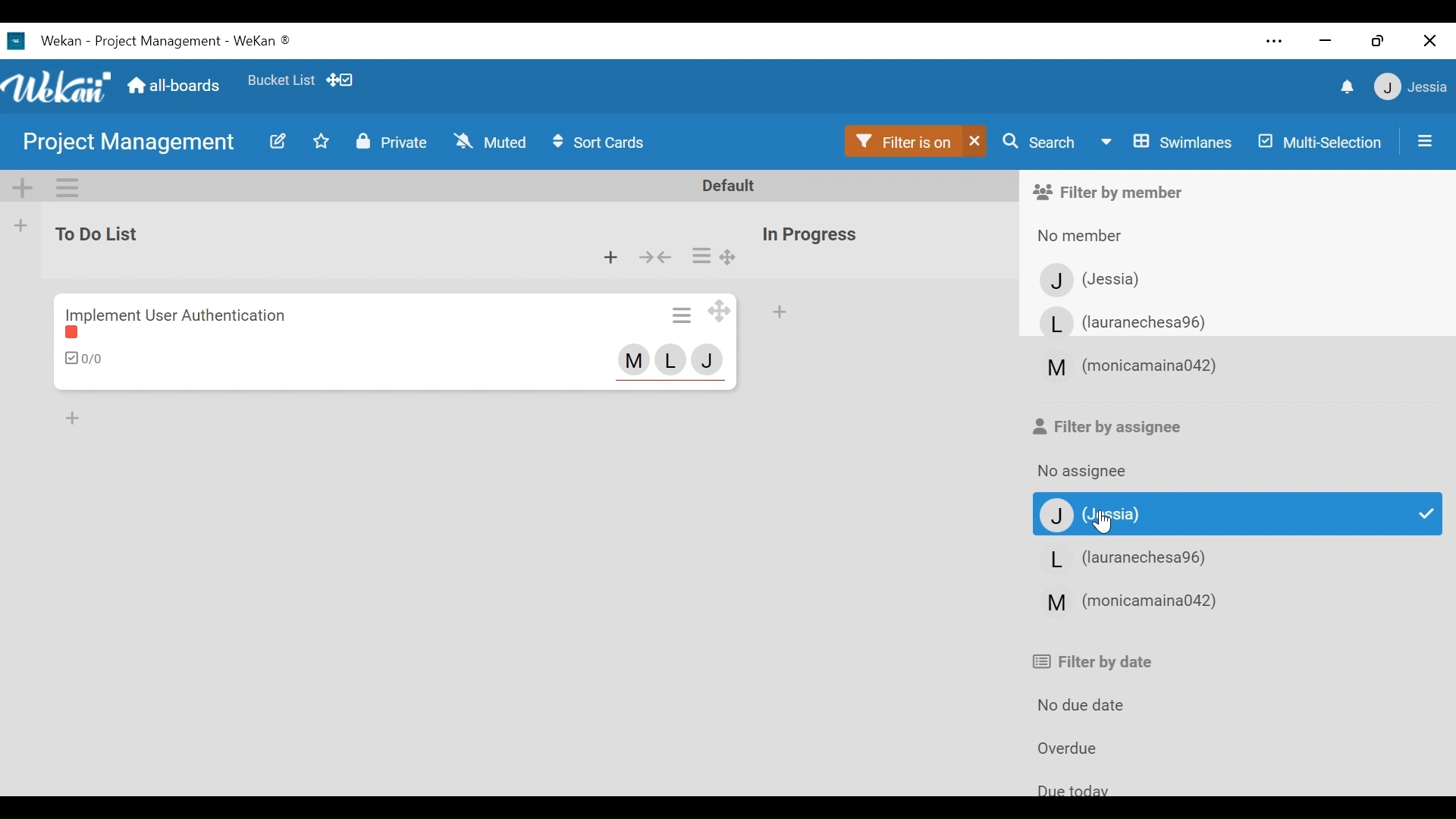 The height and width of the screenshot is (819, 1456). Describe the element at coordinates (67, 187) in the screenshot. I see `Swimlane actions` at that location.